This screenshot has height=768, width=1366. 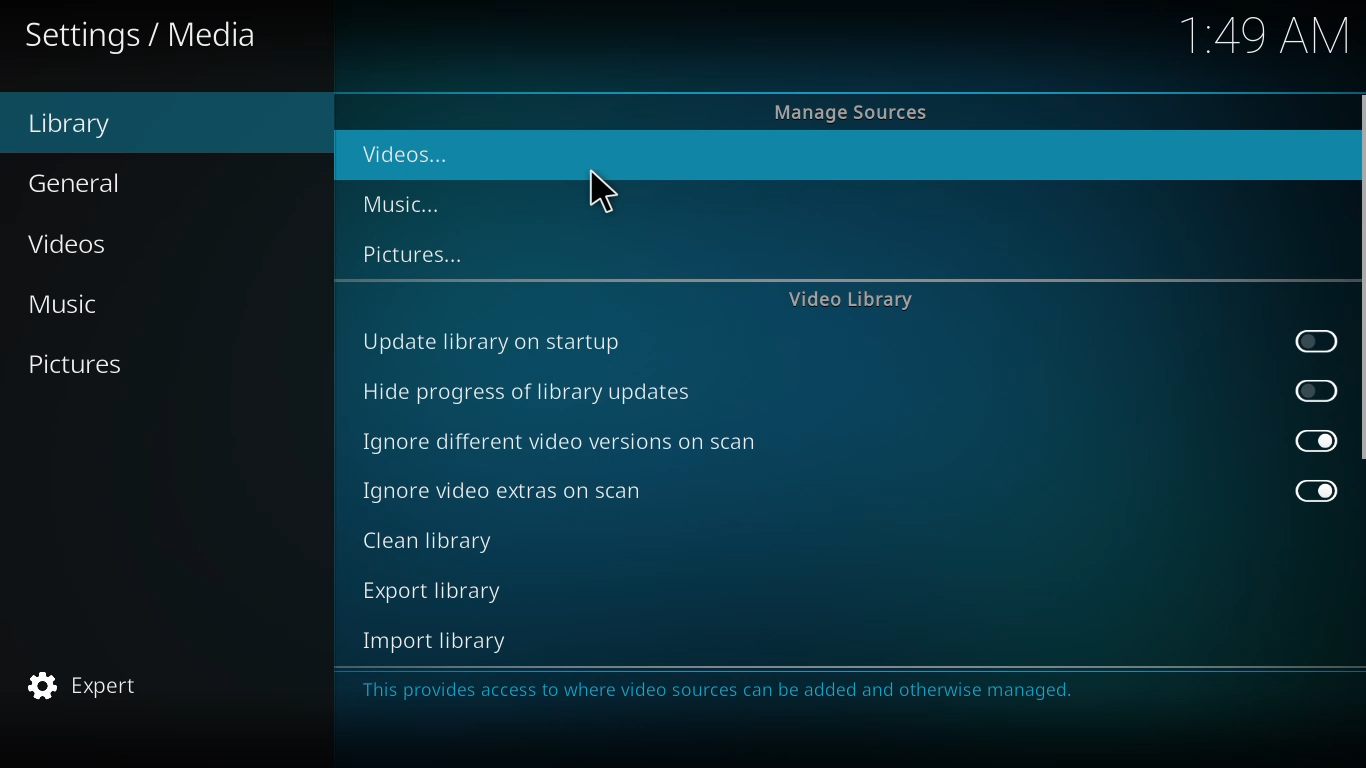 I want to click on video library, so click(x=855, y=300).